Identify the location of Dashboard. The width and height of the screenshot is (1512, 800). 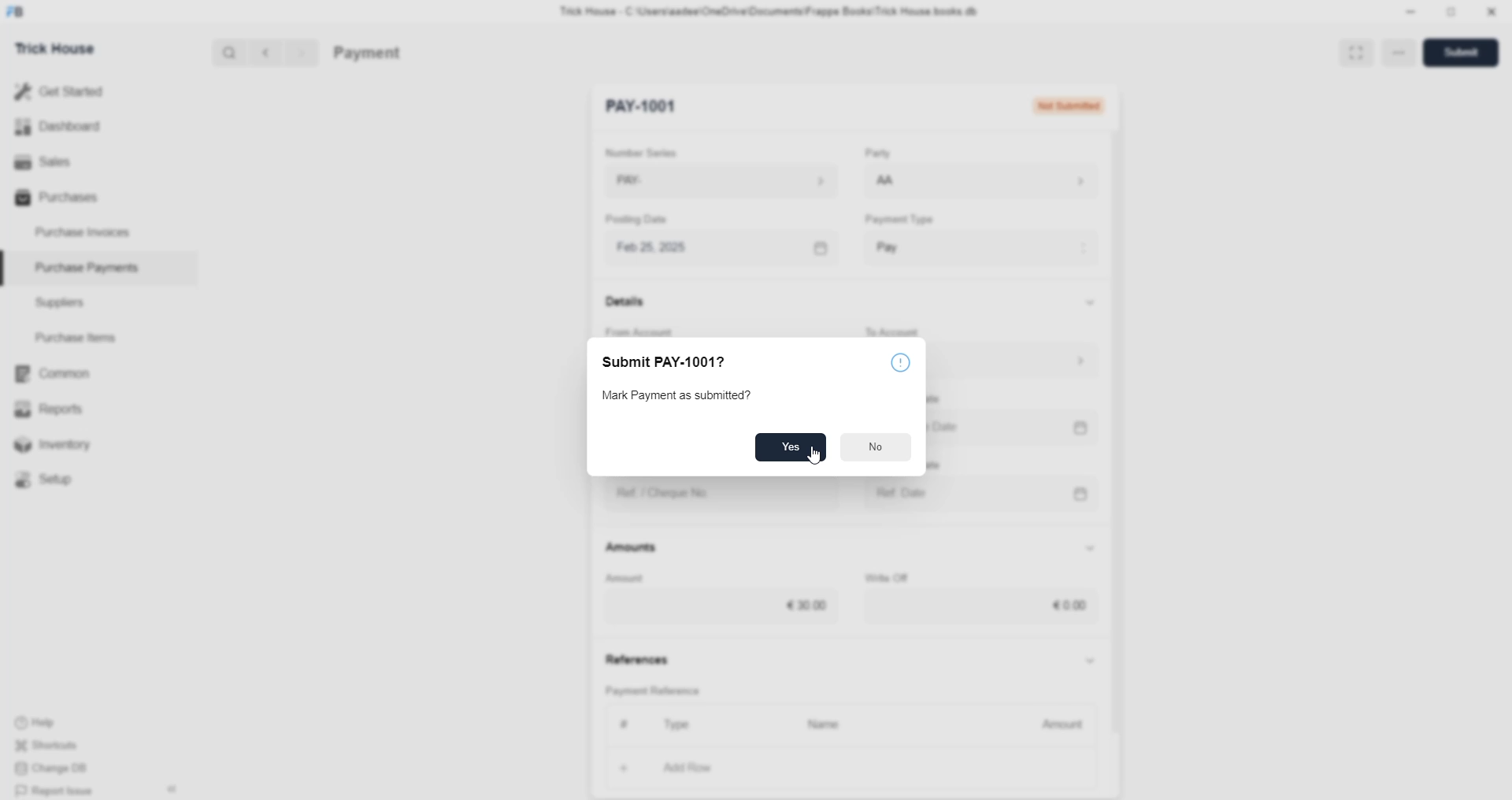
(61, 126).